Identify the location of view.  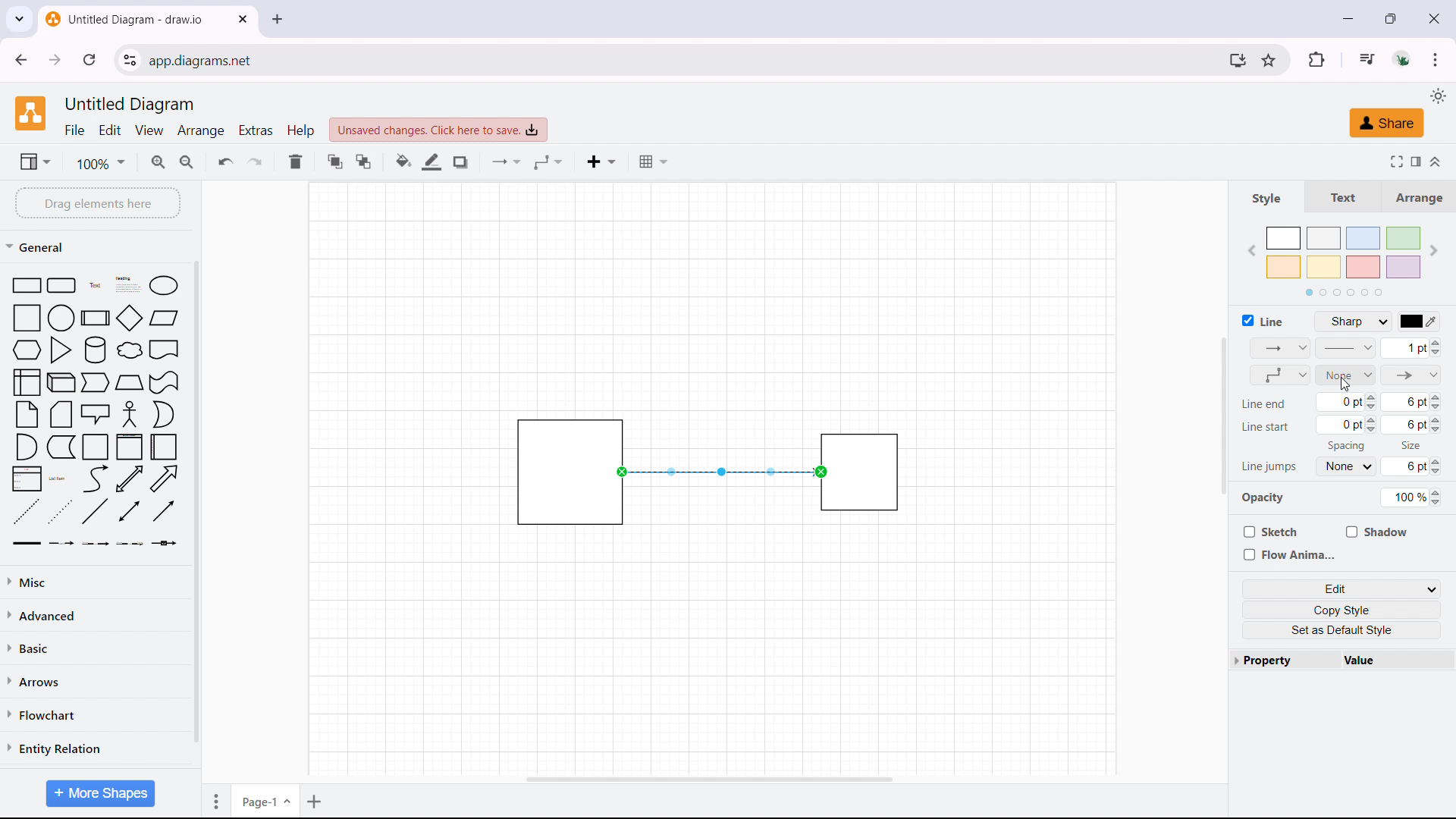
(150, 131).